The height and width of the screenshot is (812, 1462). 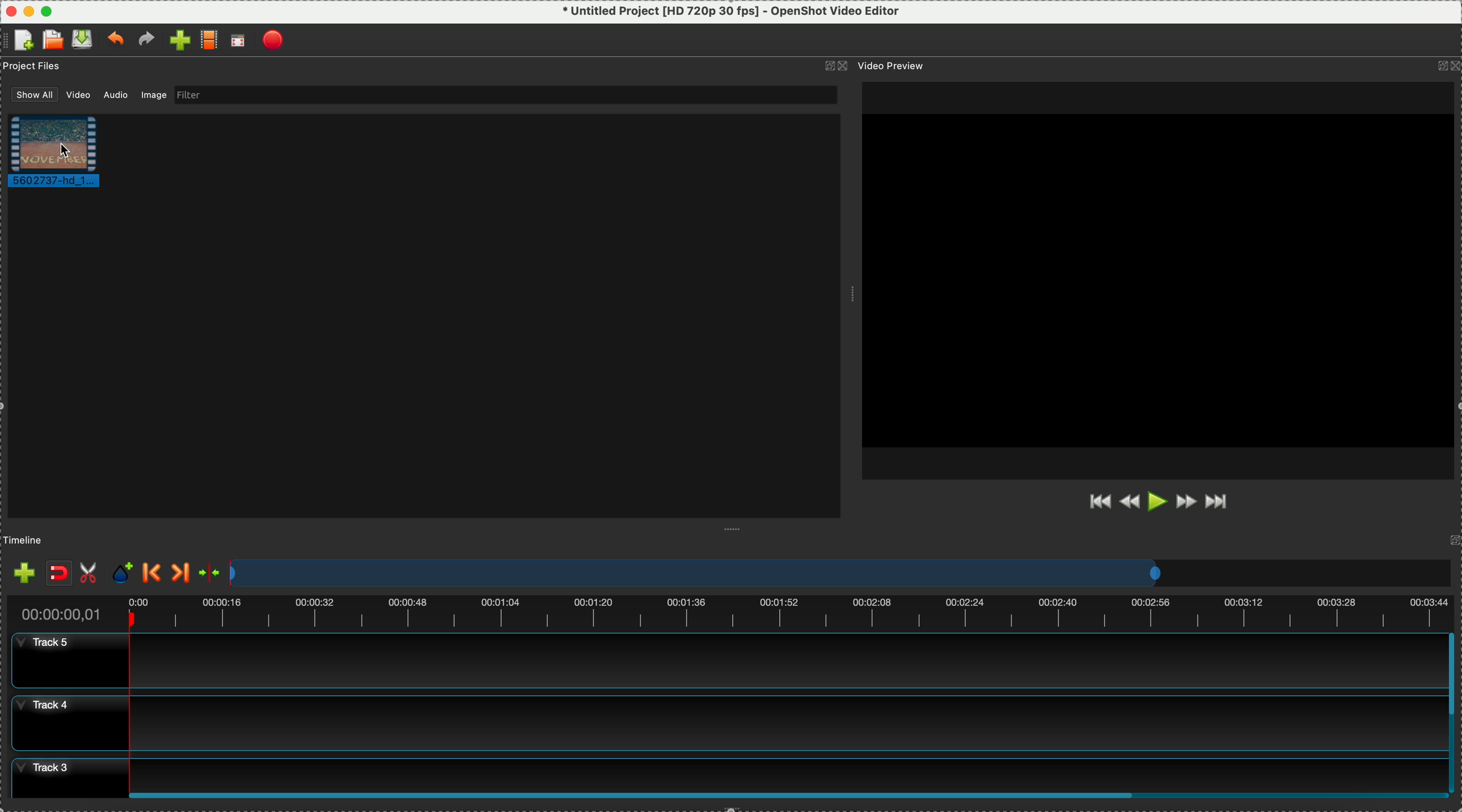 What do you see at coordinates (1221, 504) in the screenshot?
I see `jump to end` at bounding box center [1221, 504].